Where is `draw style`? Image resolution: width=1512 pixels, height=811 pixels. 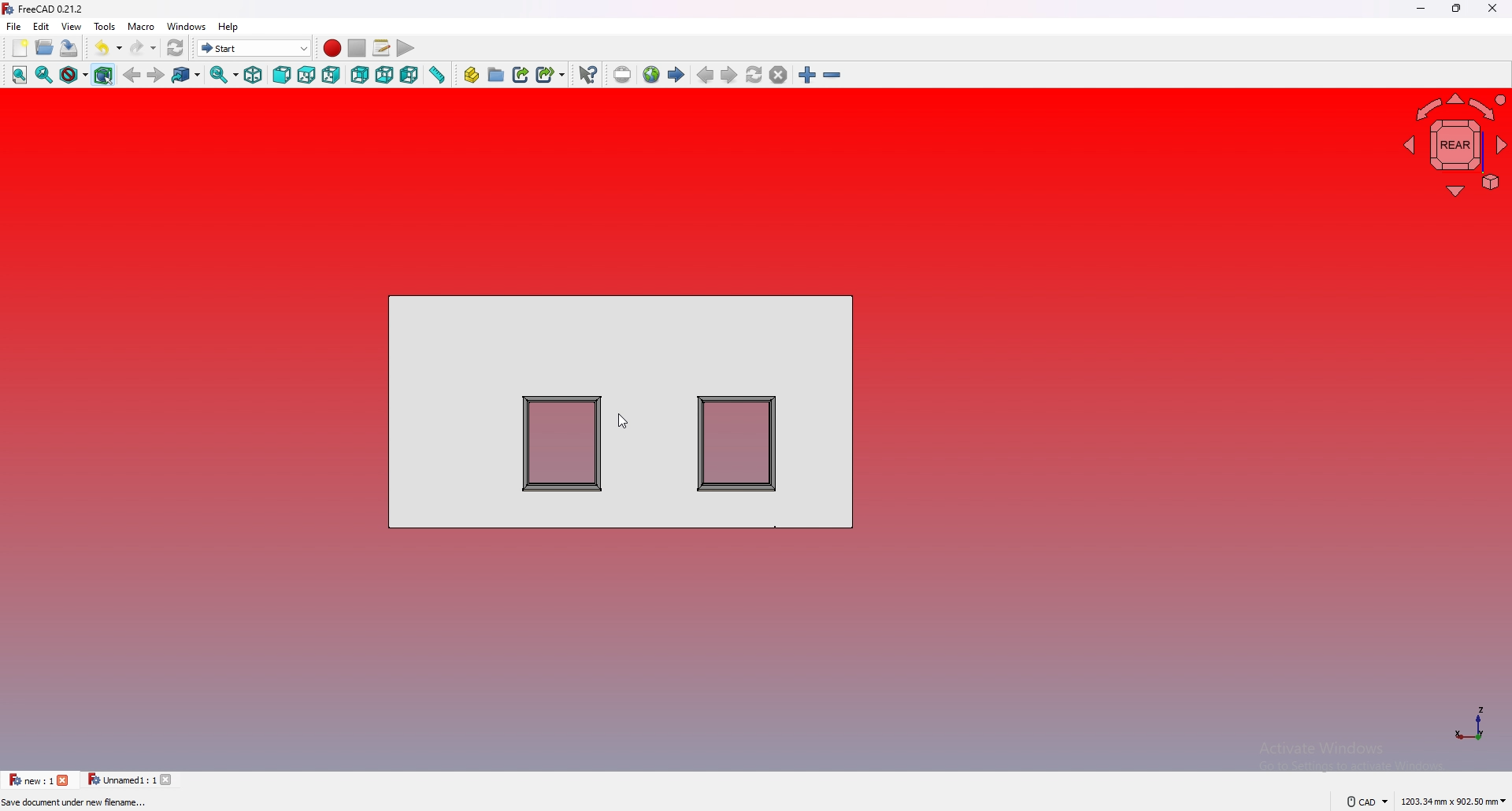
draw style is located at coordinates (74, 76).